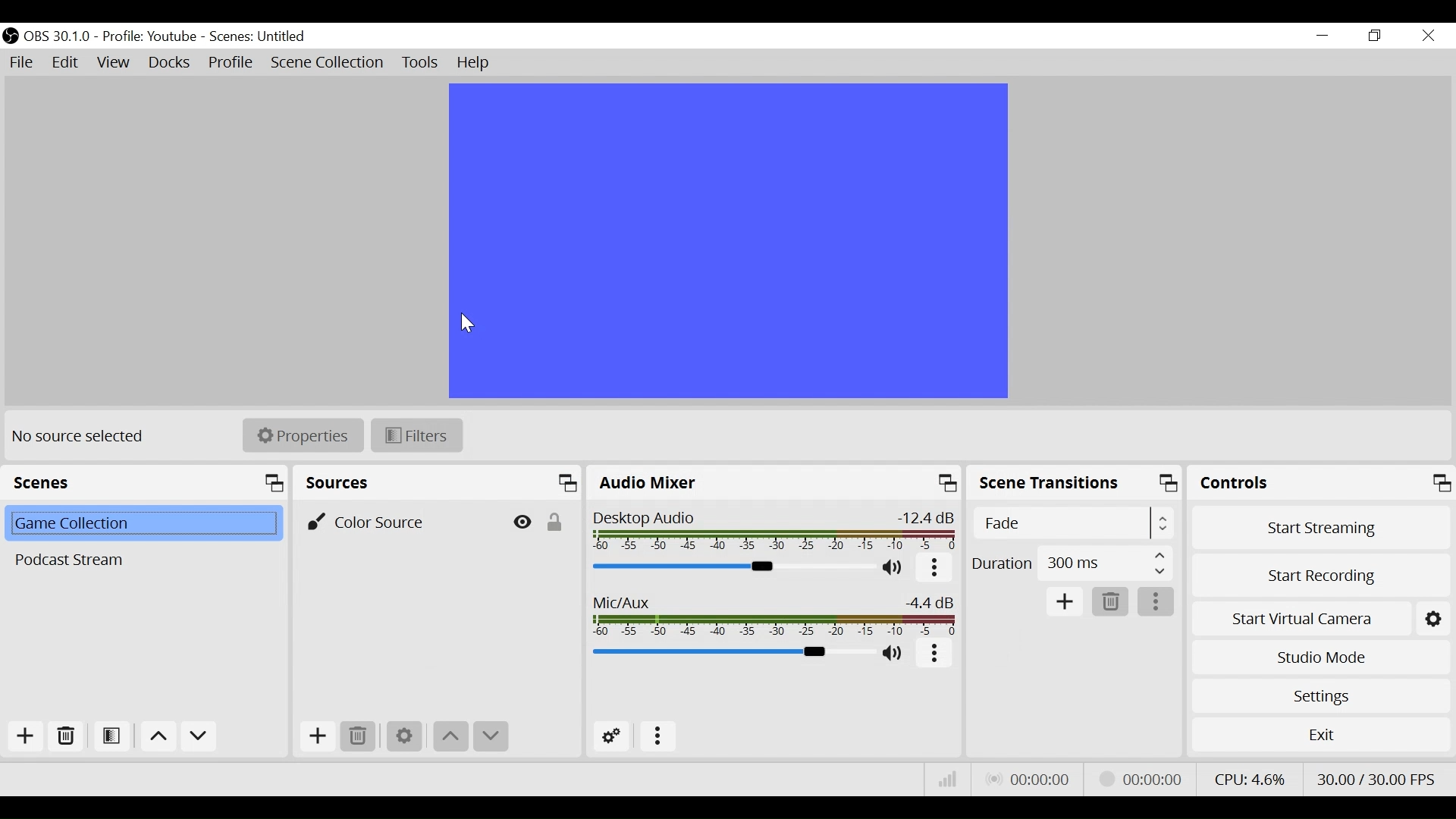 Image resolution: width=1456 pixels, height=819 pixels. What do you see at coordinates (934, 569) in the screenshot?
I see `More options` at bounding box center [934, 569].